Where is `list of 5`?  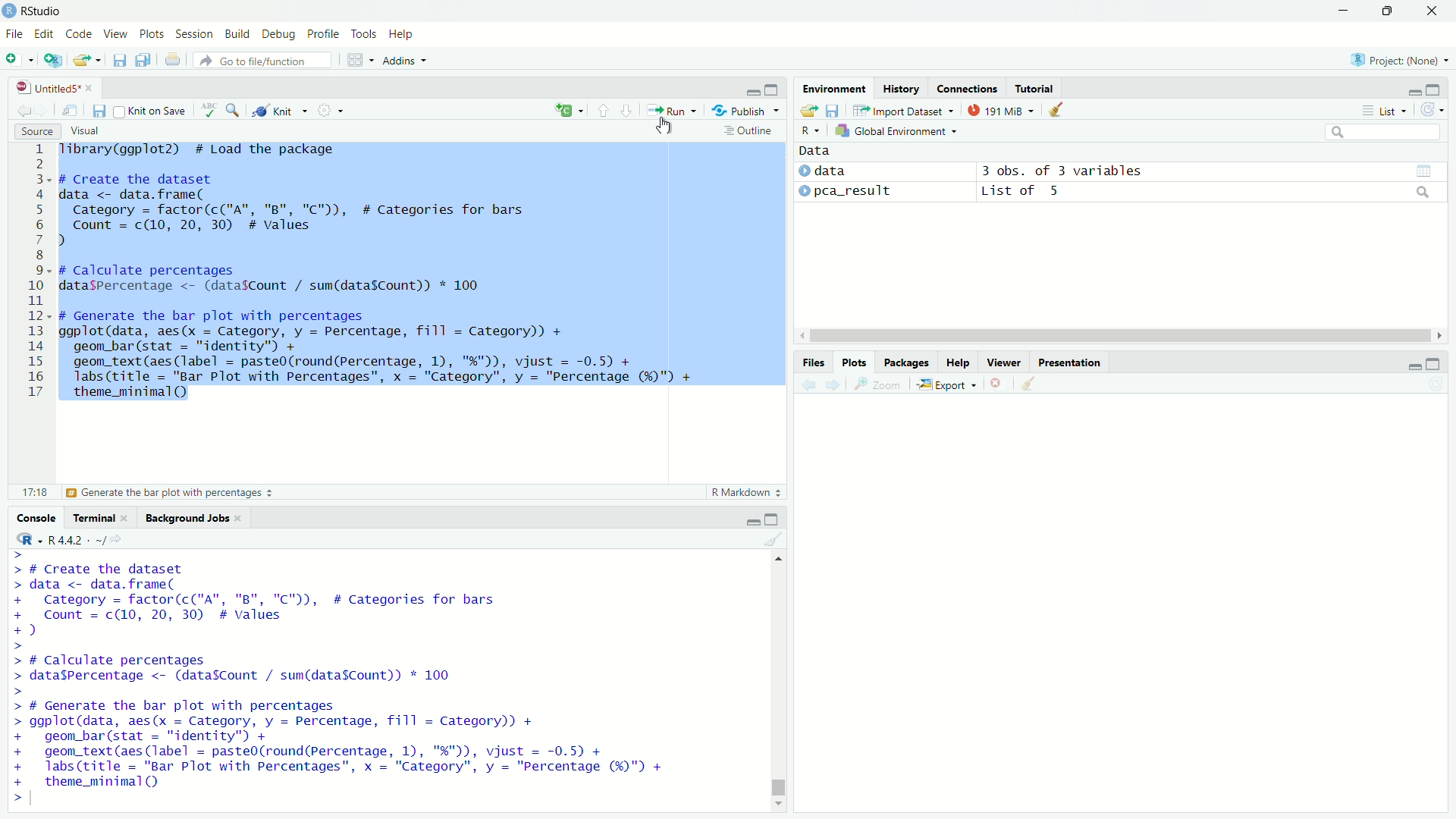
list of 5 is located at coordinates (1209, 191).